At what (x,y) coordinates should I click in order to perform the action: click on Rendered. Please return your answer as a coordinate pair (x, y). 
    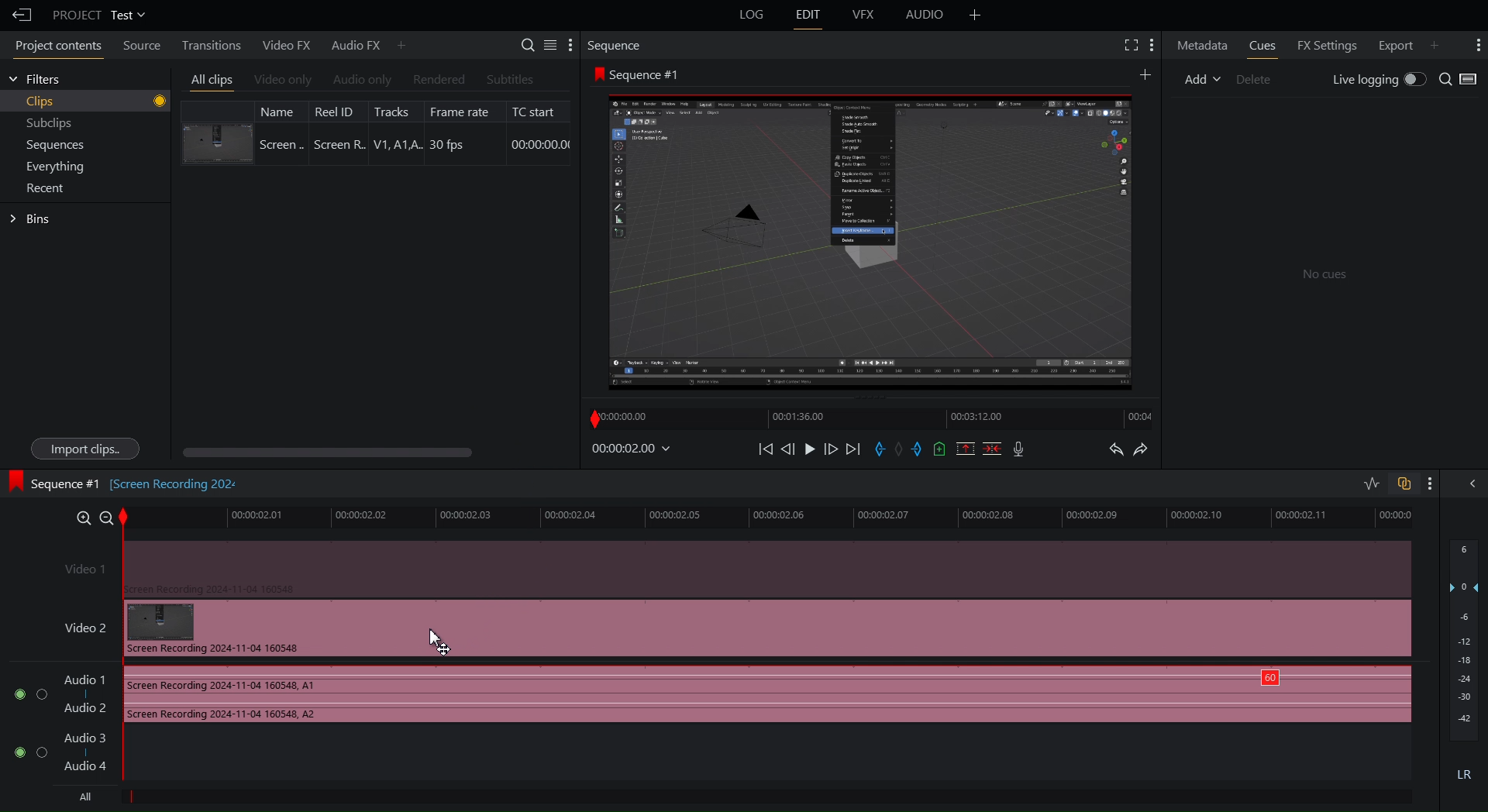
    Looking at the image, I should click on (437, 80).